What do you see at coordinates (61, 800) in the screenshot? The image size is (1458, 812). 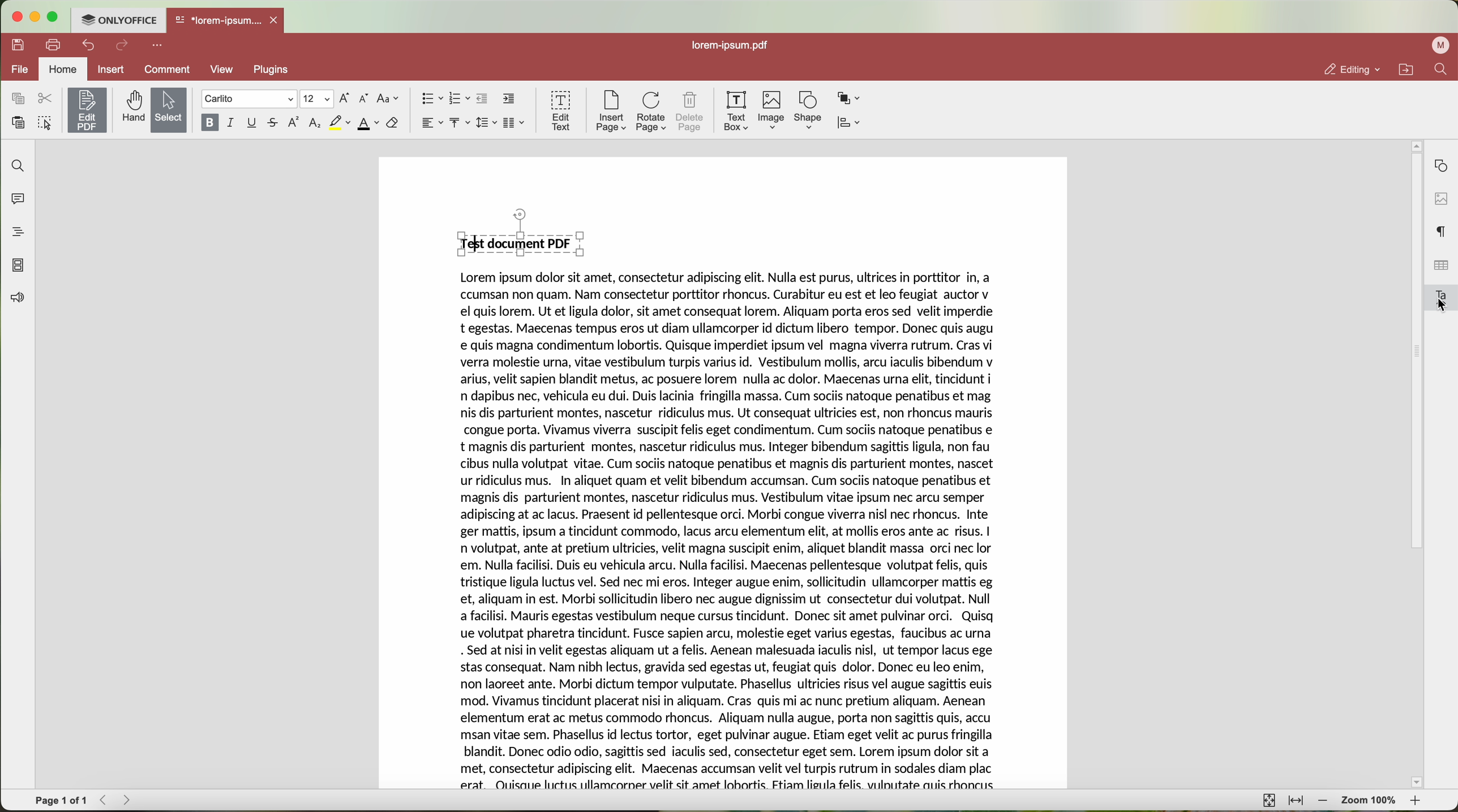 I see `Page 1 of 1` at bounding box center [61, 800].